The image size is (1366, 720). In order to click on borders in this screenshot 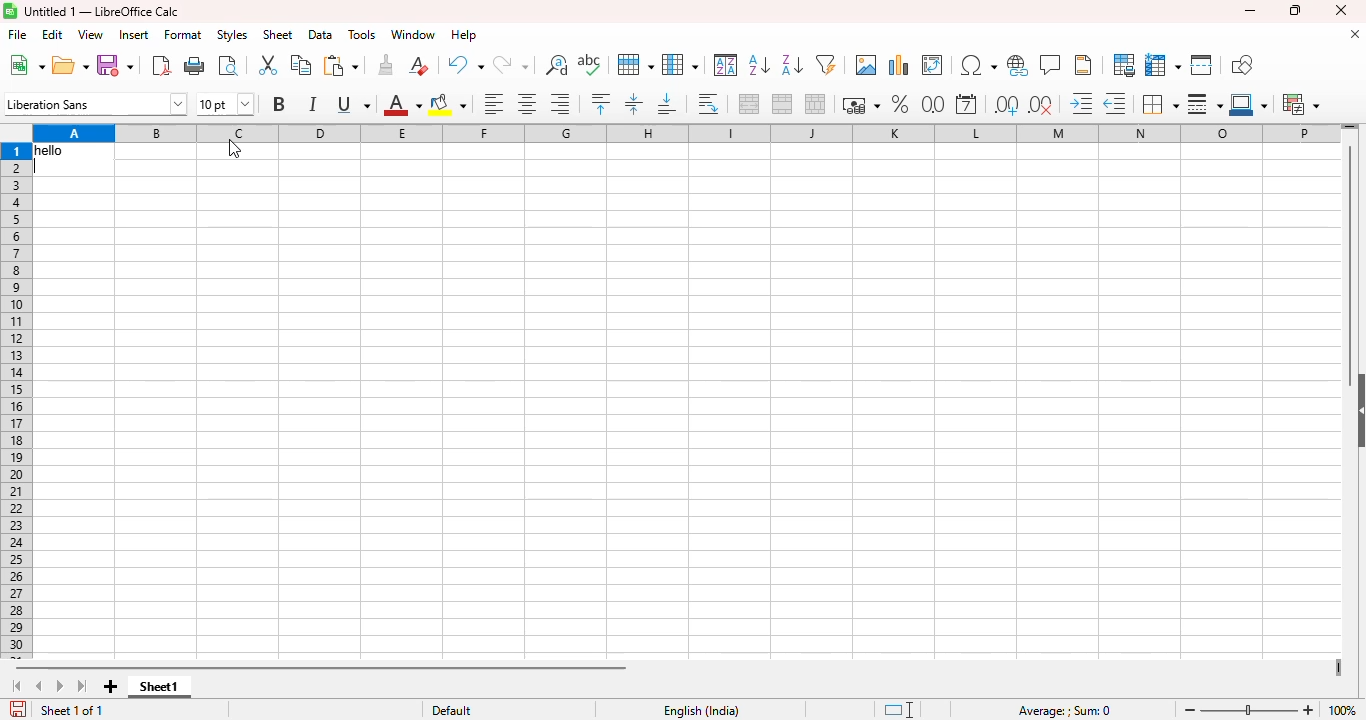, I will do `click(1159, 104)`.